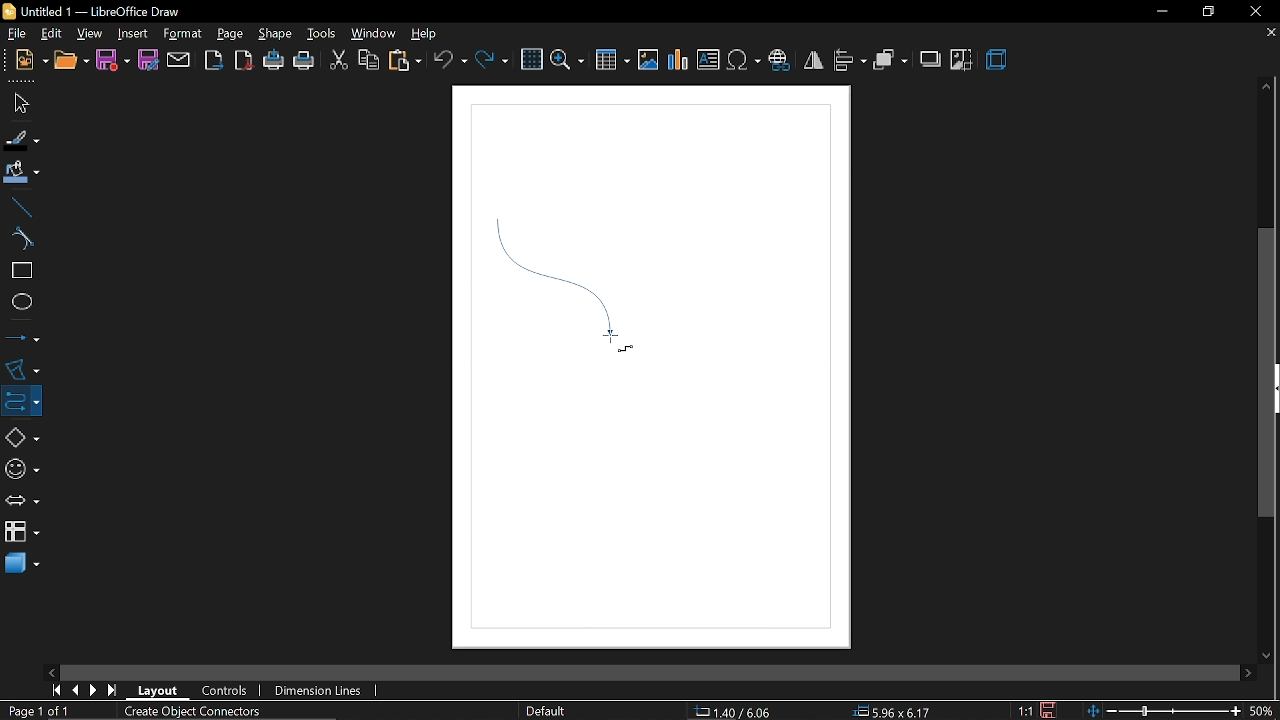 The width and height of the screenshot is (1280, 720). What do you see at coordinates (159, 691) in the screenshot?
I see `layout` at bounding box center [159, 691].